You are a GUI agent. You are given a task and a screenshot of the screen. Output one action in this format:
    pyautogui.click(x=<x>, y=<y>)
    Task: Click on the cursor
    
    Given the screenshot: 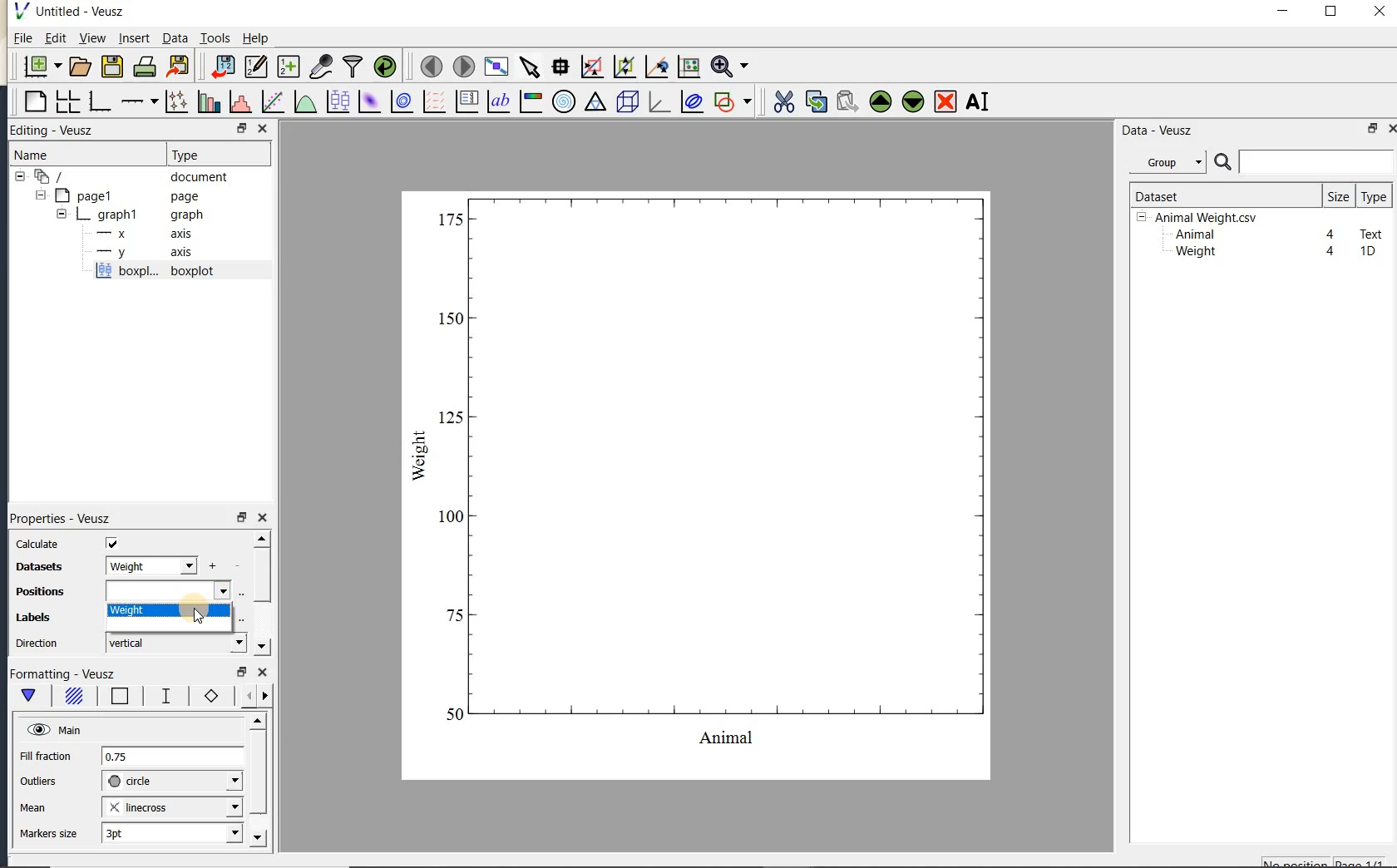 What is the action you would take?
    pyautogui.click(x=201, y=618)
    